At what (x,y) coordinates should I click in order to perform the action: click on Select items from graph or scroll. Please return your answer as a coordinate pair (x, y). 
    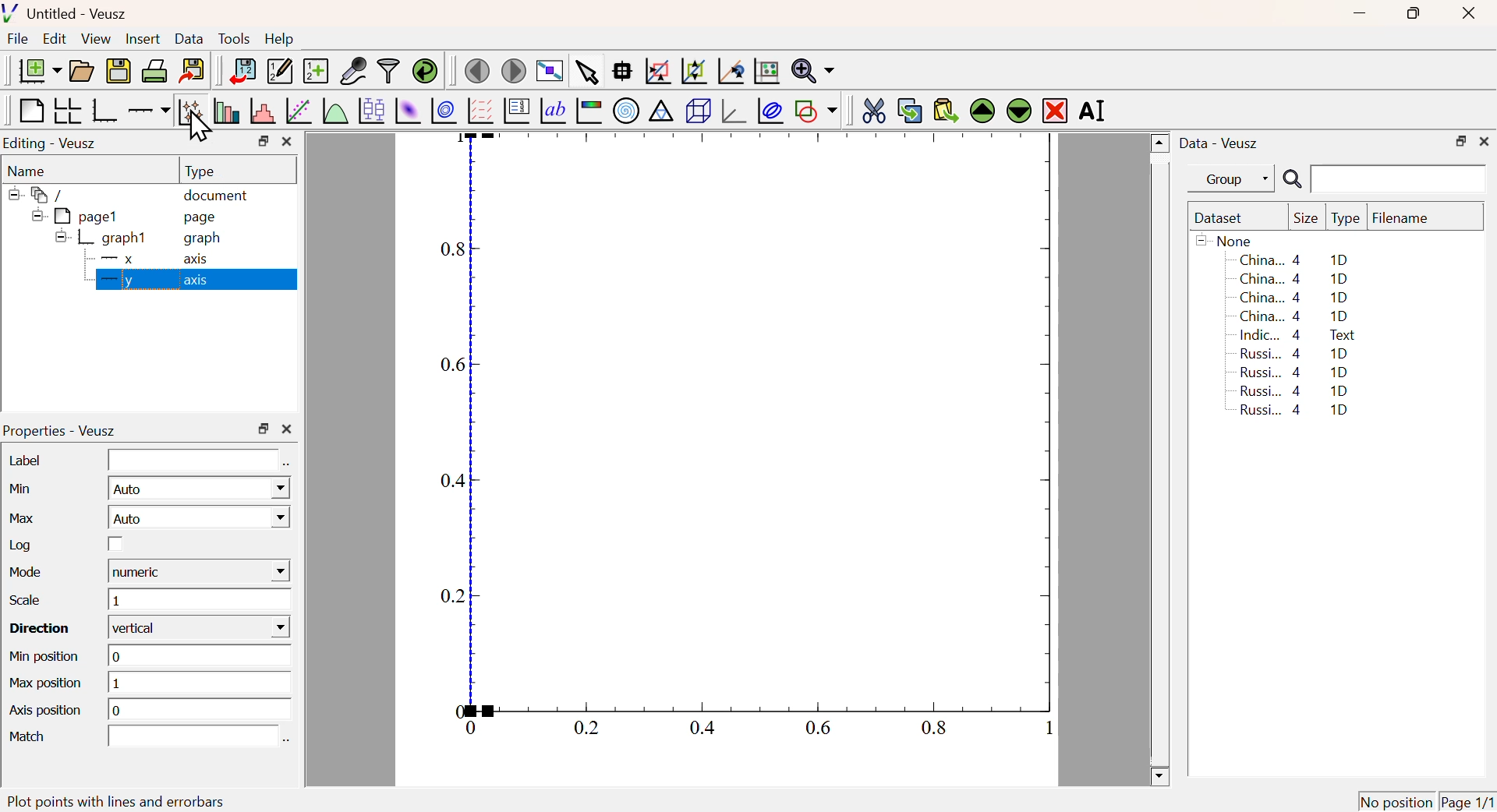
    Looking at the image, I should click on (586, 75).